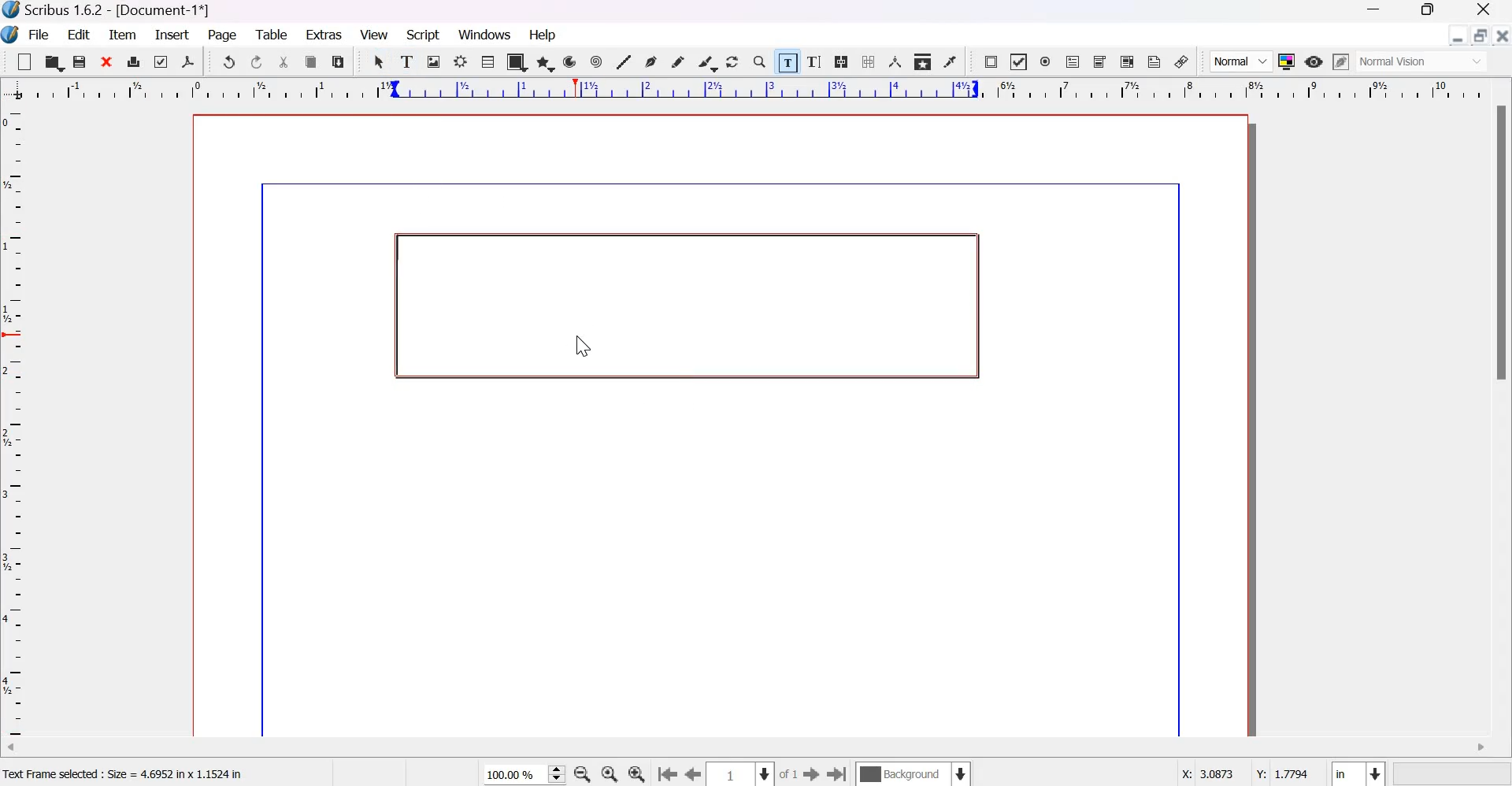 This screenshot has width=1512, height=786. Describe the element at coordinates (187, 61) in the screenshot. I see `save as pdf` at that location.